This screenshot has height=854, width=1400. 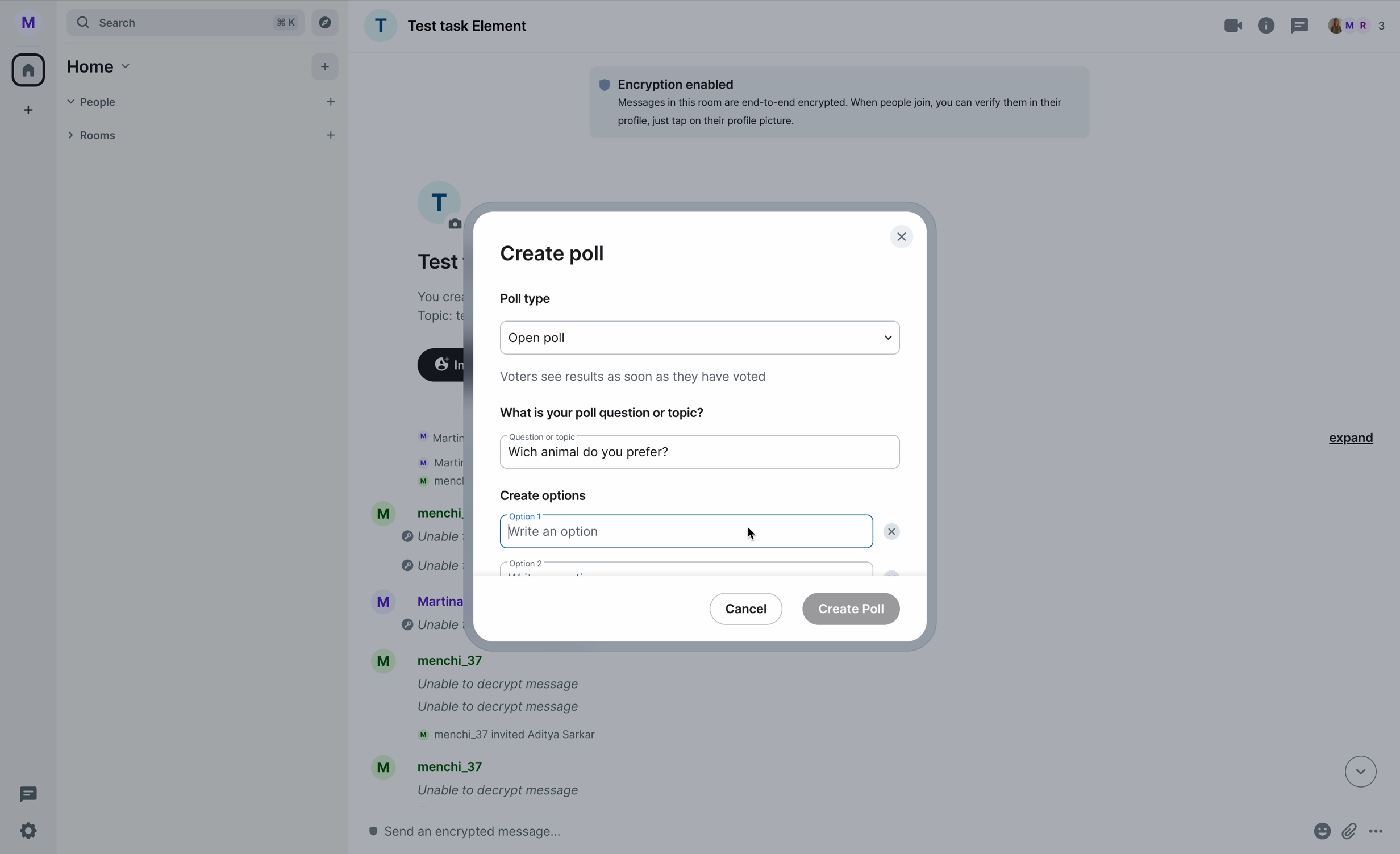 What do you see at coordinates (838, 102) in the screenshot?
I see ` Encryption enabledMessages in this room are end-to-end encrypted. When people join, you can verify them in theirprofile, just tap on their profile picture.` at bounding box center [838, 102].